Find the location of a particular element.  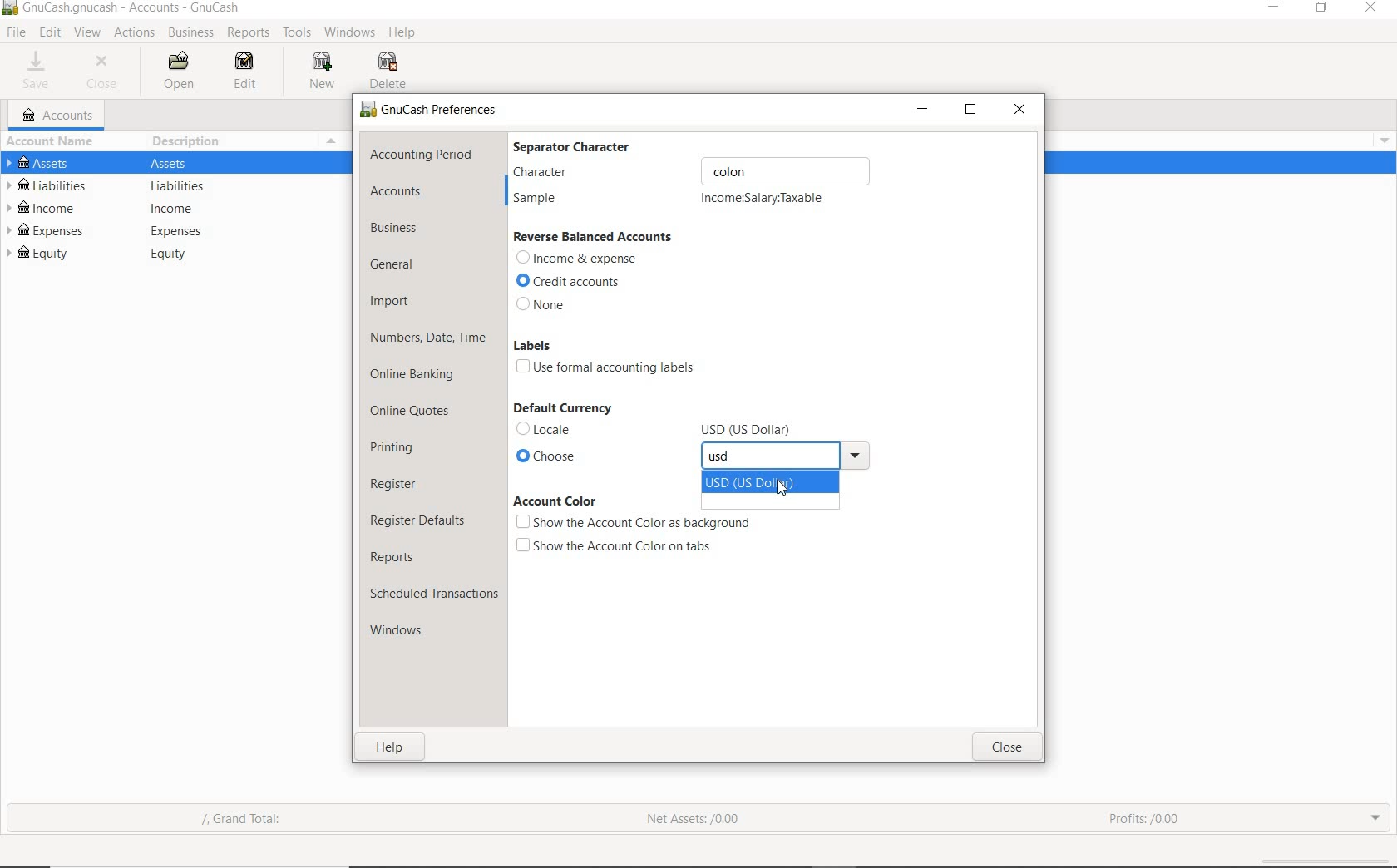

show the account color as background is located at coordinates (633, 523).